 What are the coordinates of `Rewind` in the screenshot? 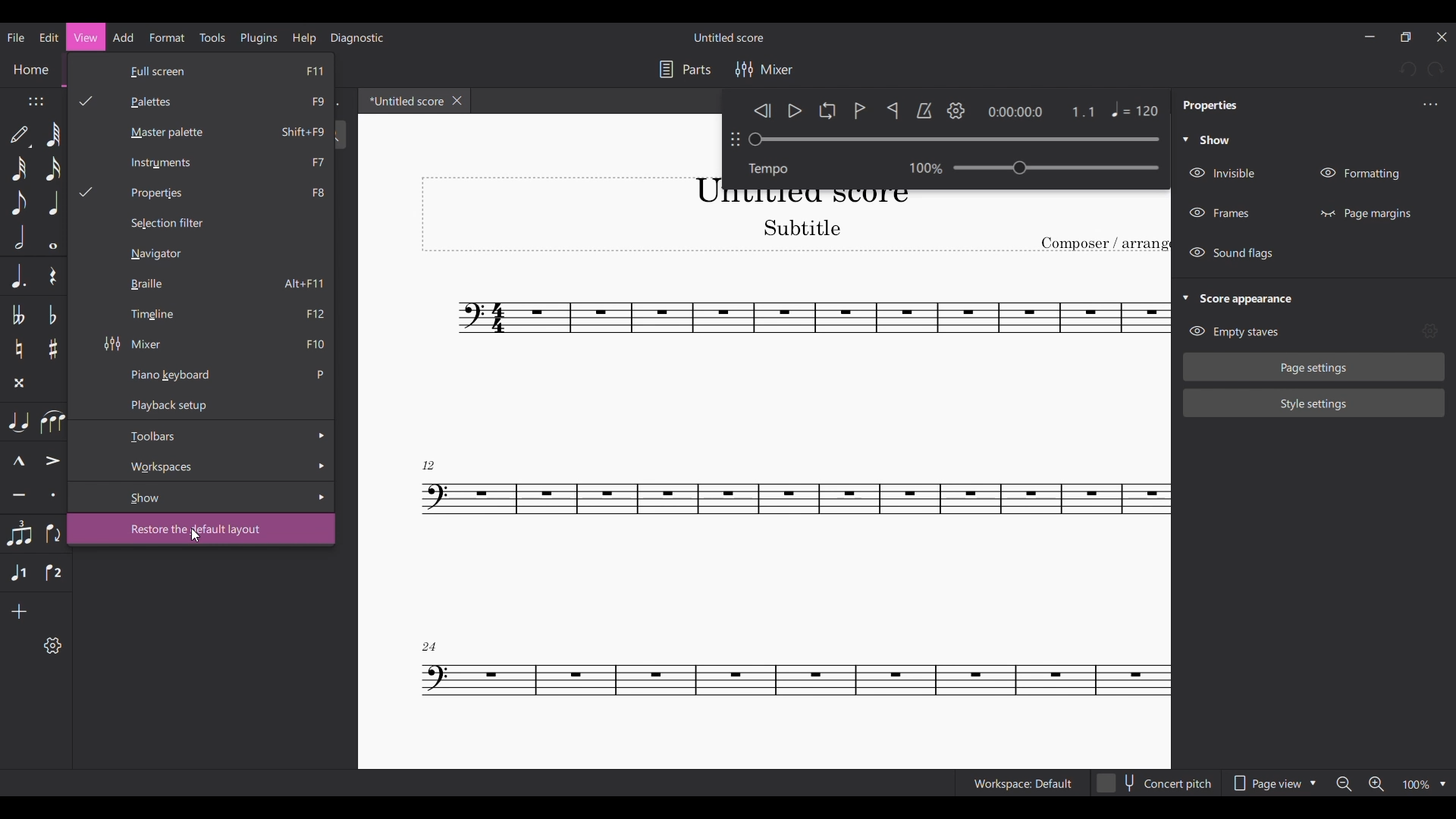 It's located at (762, 110).